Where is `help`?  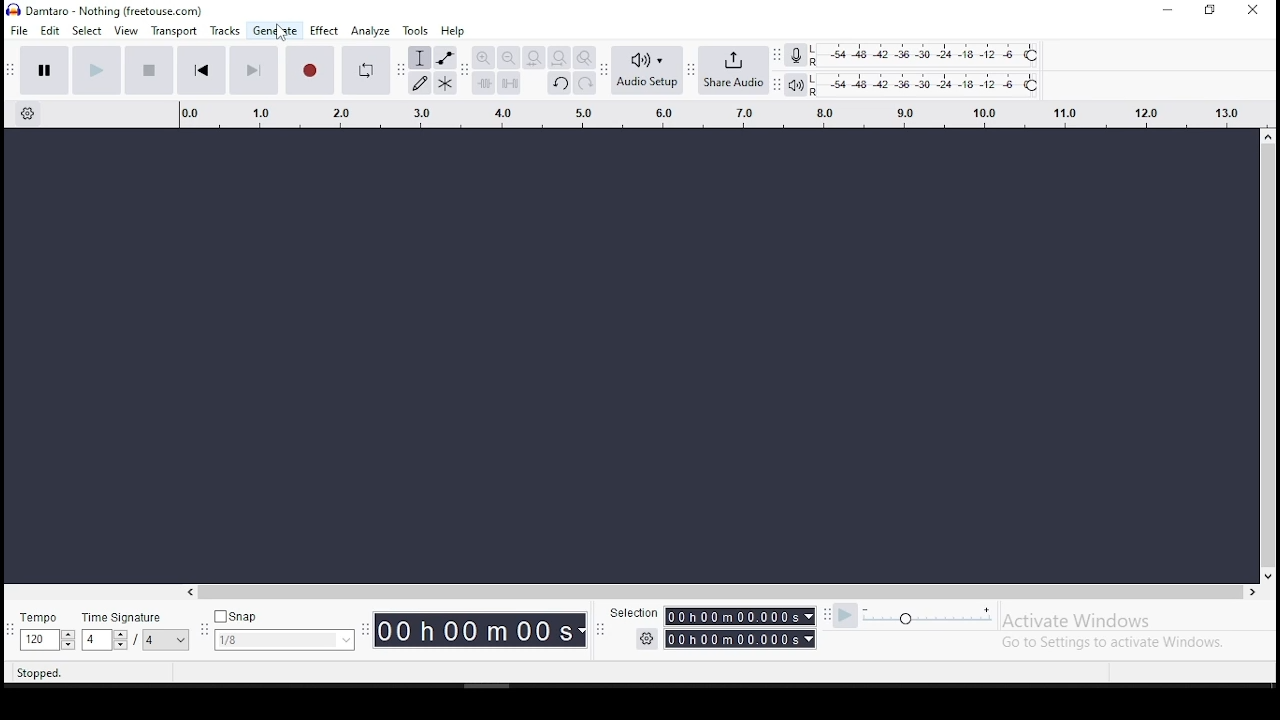 help is located at coordinates (453, 31).